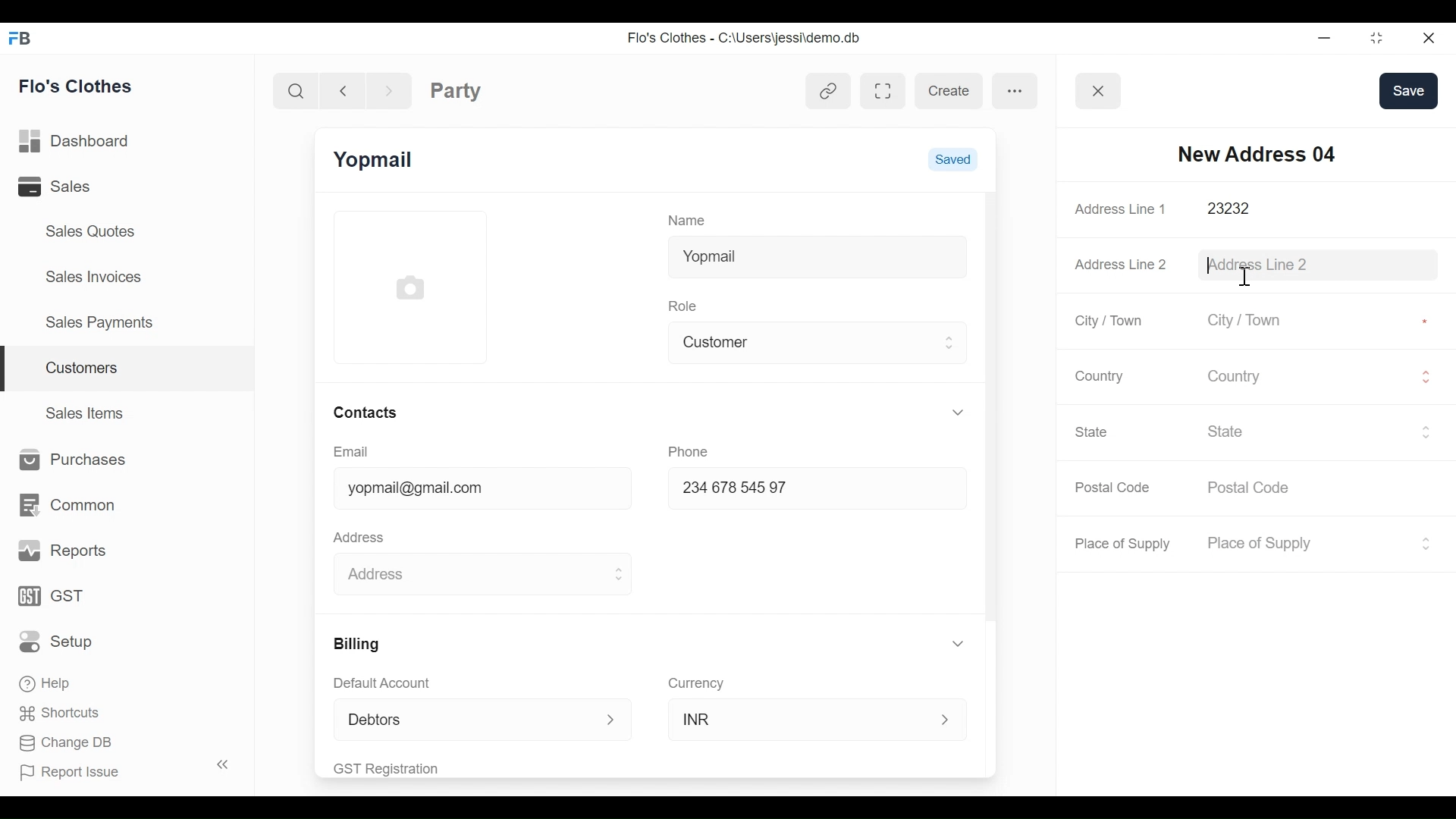  I want to click on City / Town, so click(1110, 321).